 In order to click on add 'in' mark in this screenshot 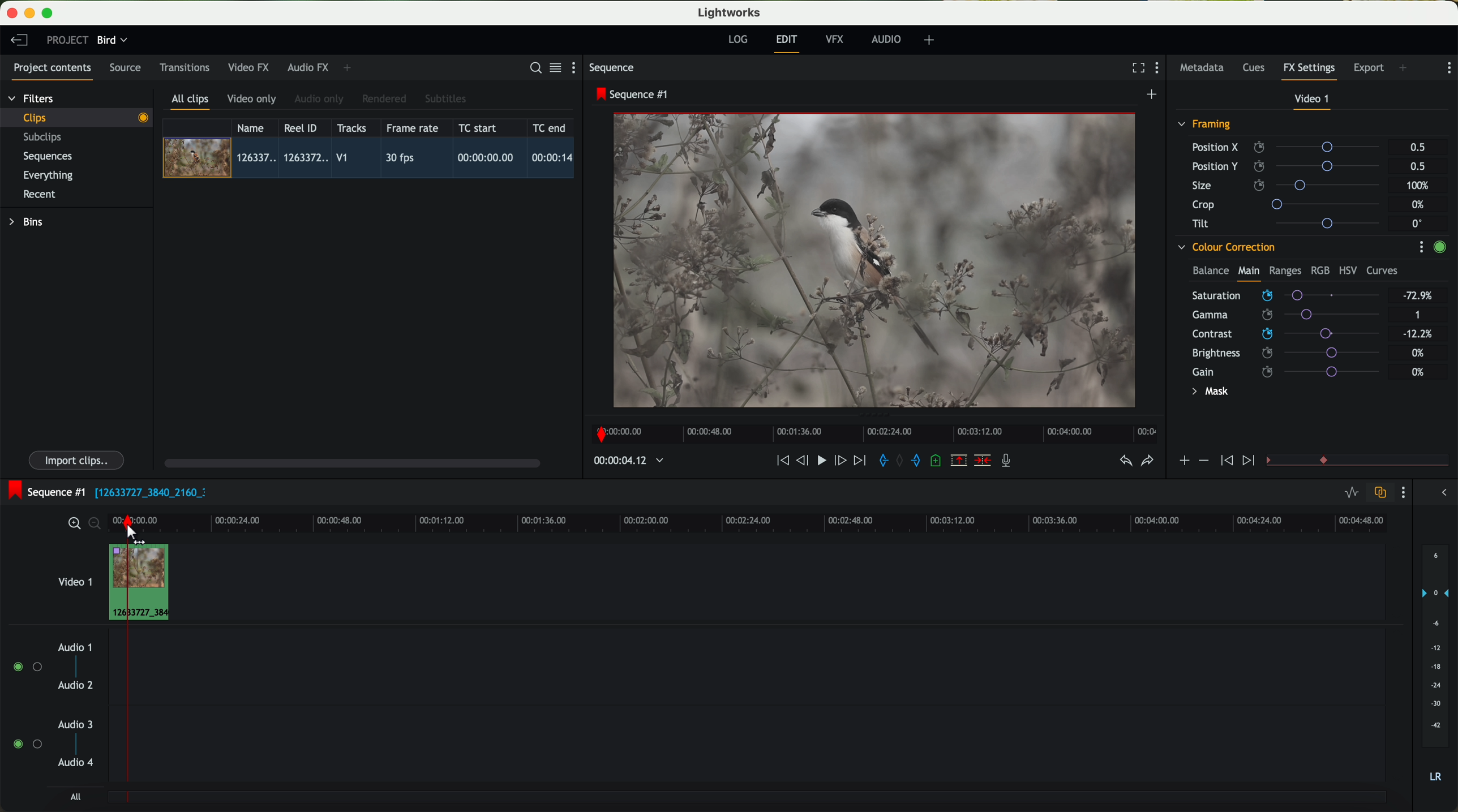, I will do `click(880, 462)`.